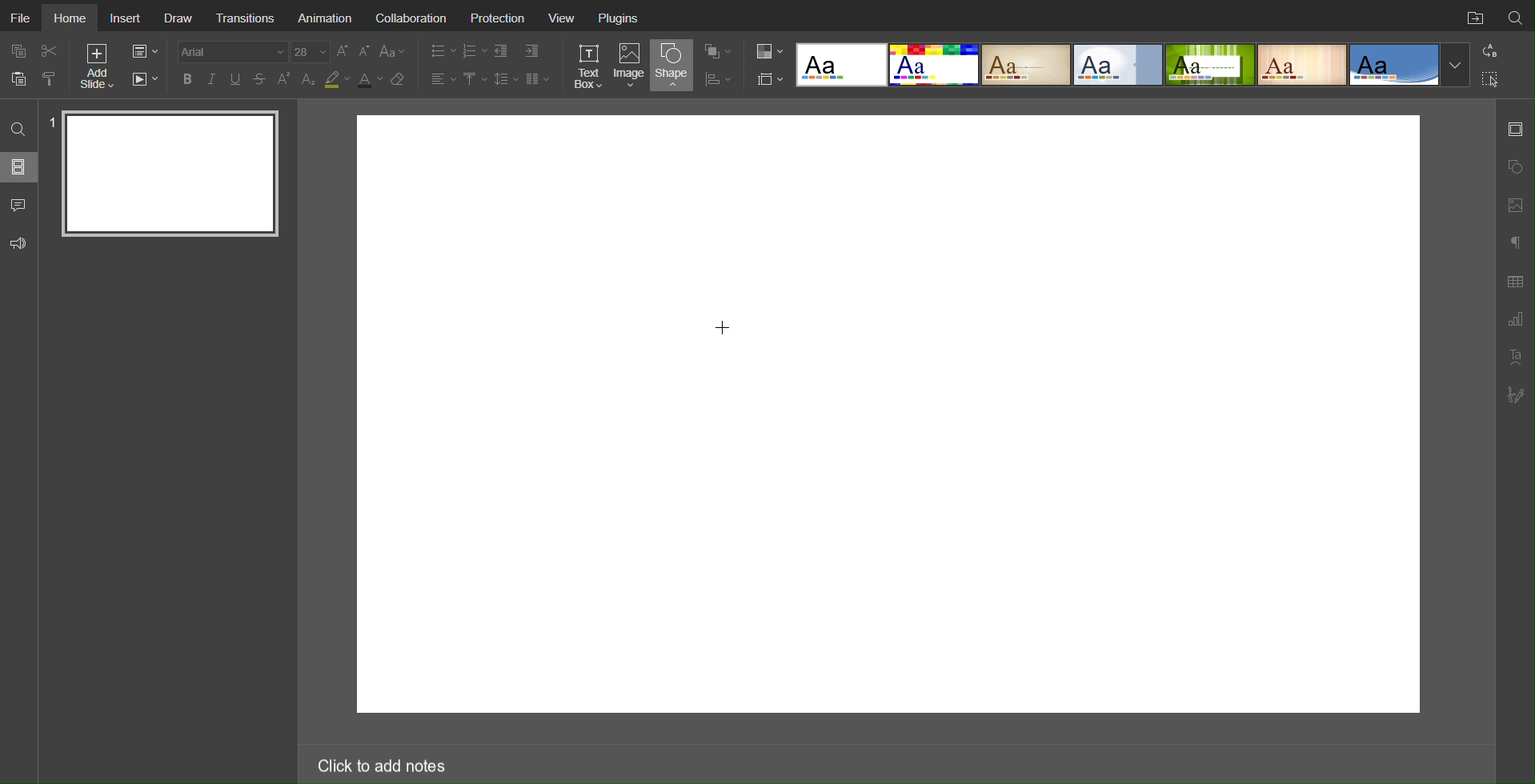  I want to click on Feedback and Support, so click(18, 244).